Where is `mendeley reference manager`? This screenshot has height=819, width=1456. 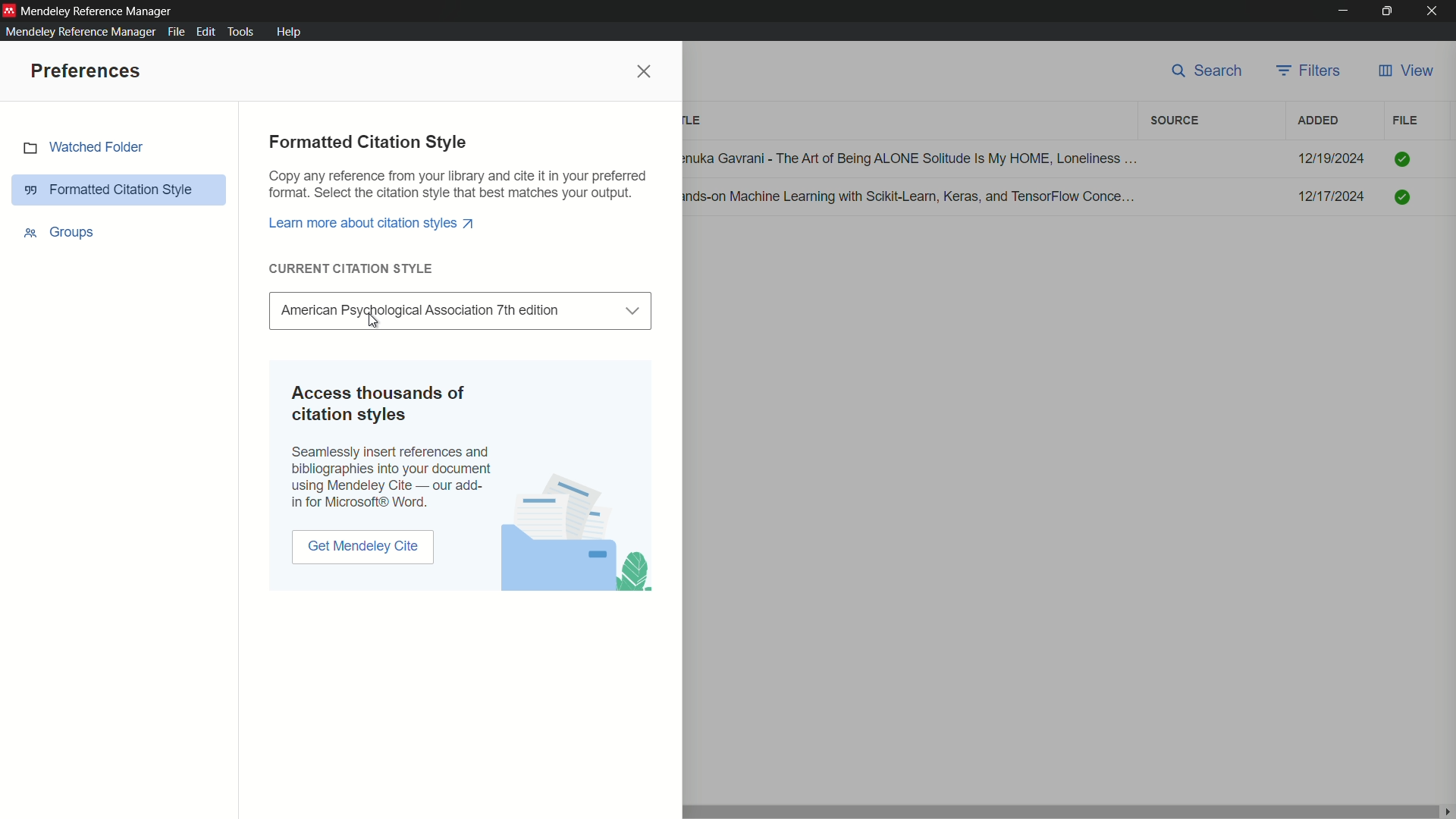
mendeley reference manager is located at coordinates (80, 32).